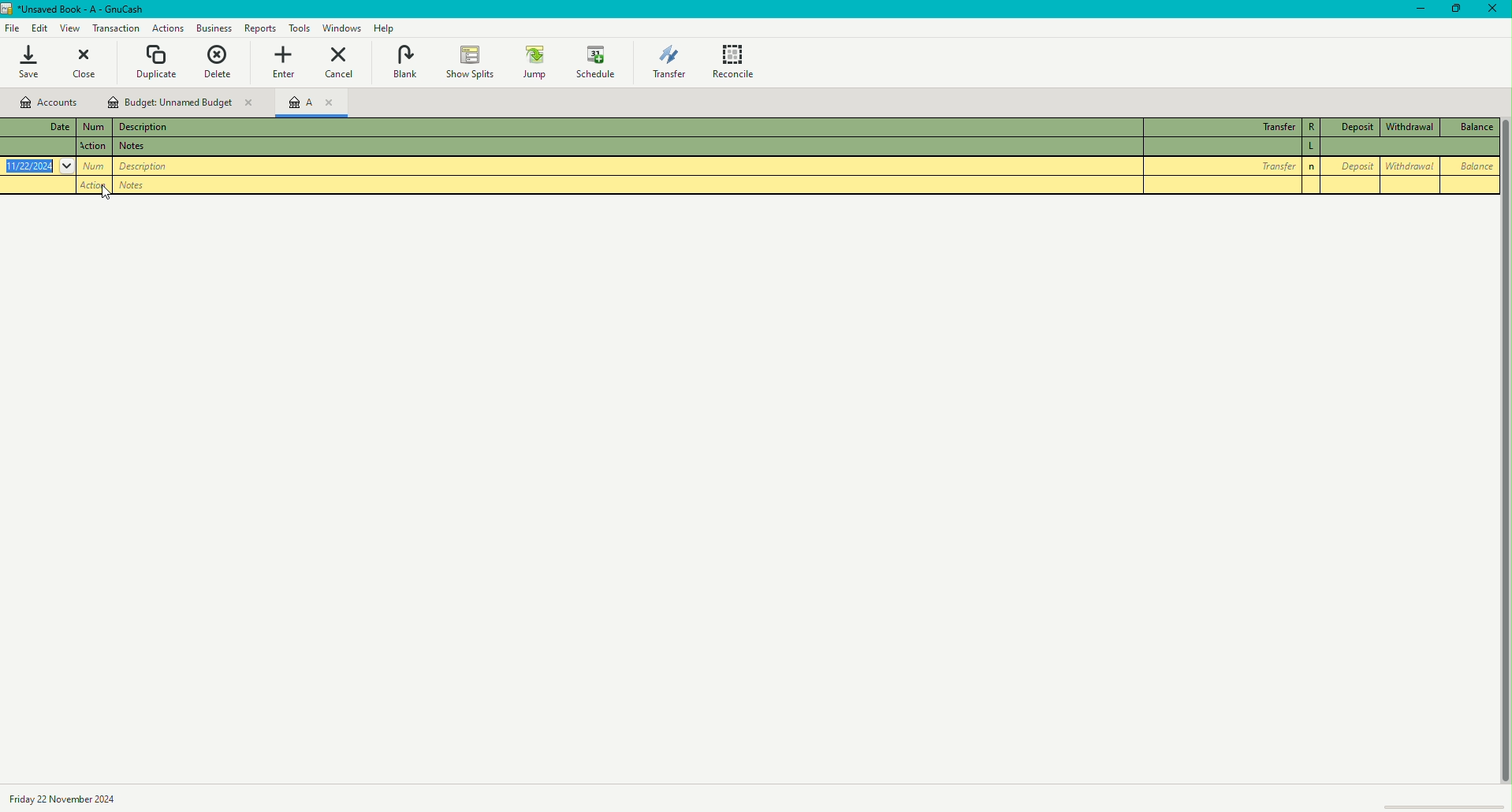  I want to click on Deposit, so click(1356, 127).